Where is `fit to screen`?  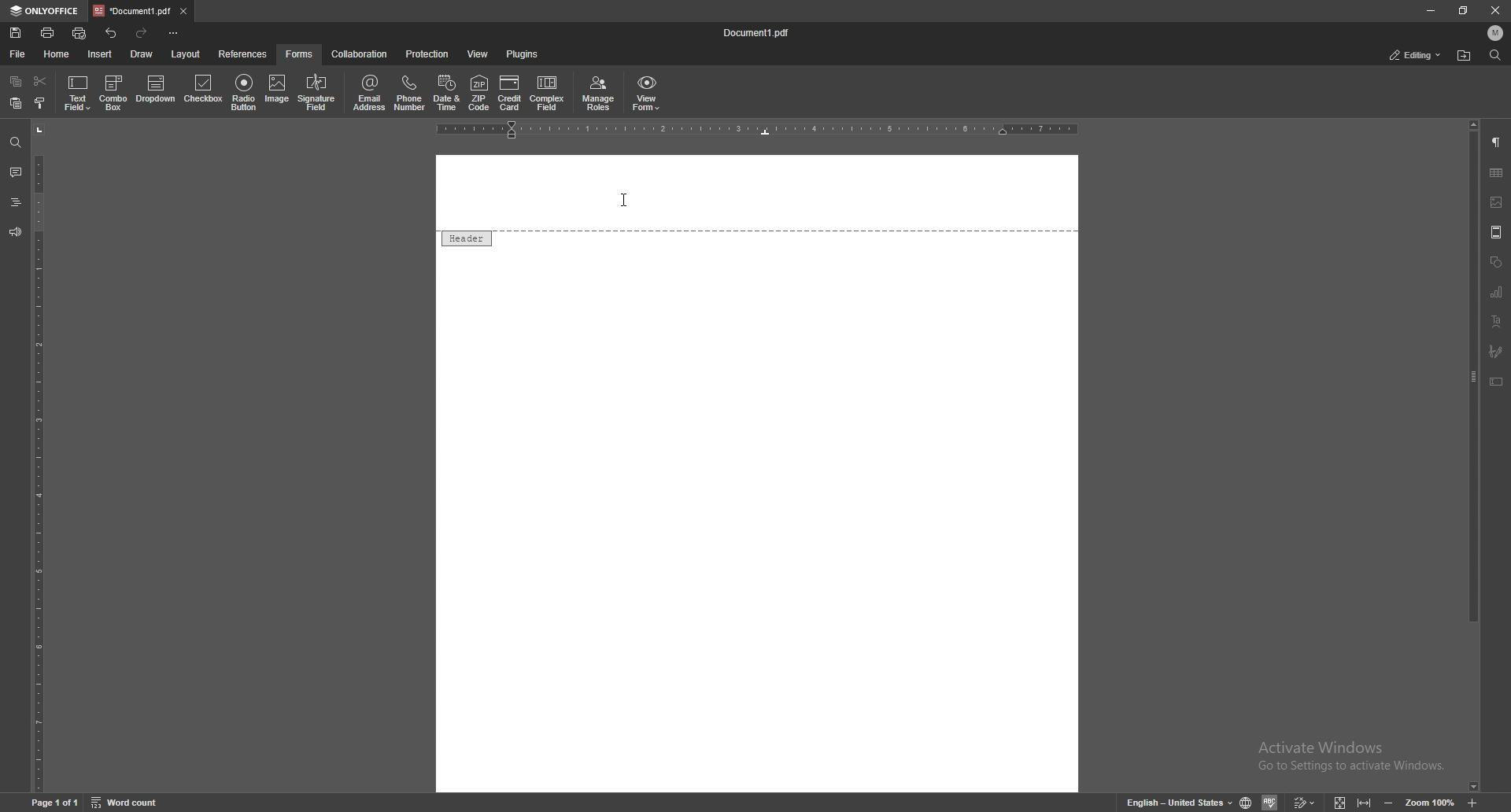 fit to screen is located at coordinates (1341, 803).